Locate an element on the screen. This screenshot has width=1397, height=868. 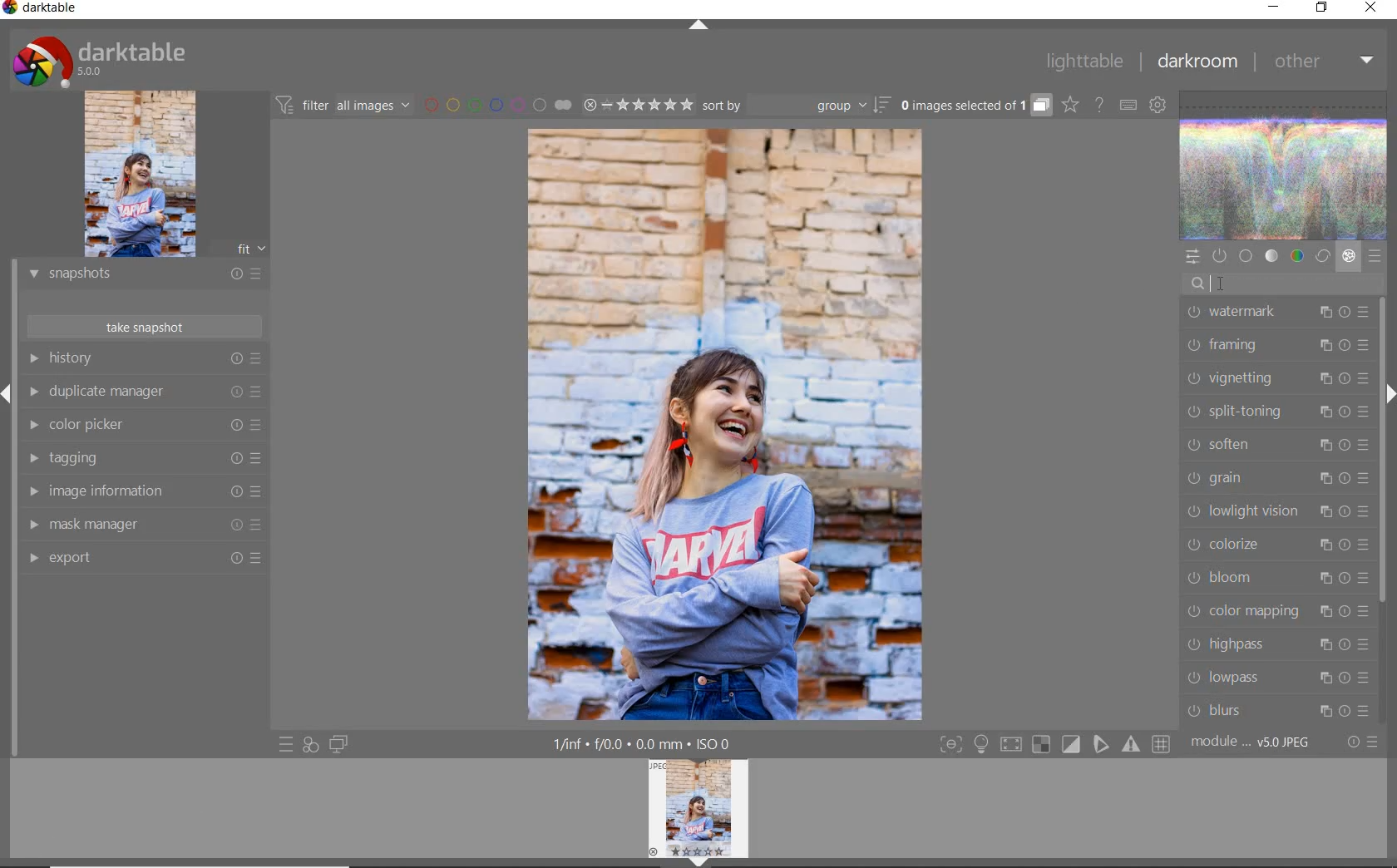
expand/collapse is located at coordinates (698, 25).